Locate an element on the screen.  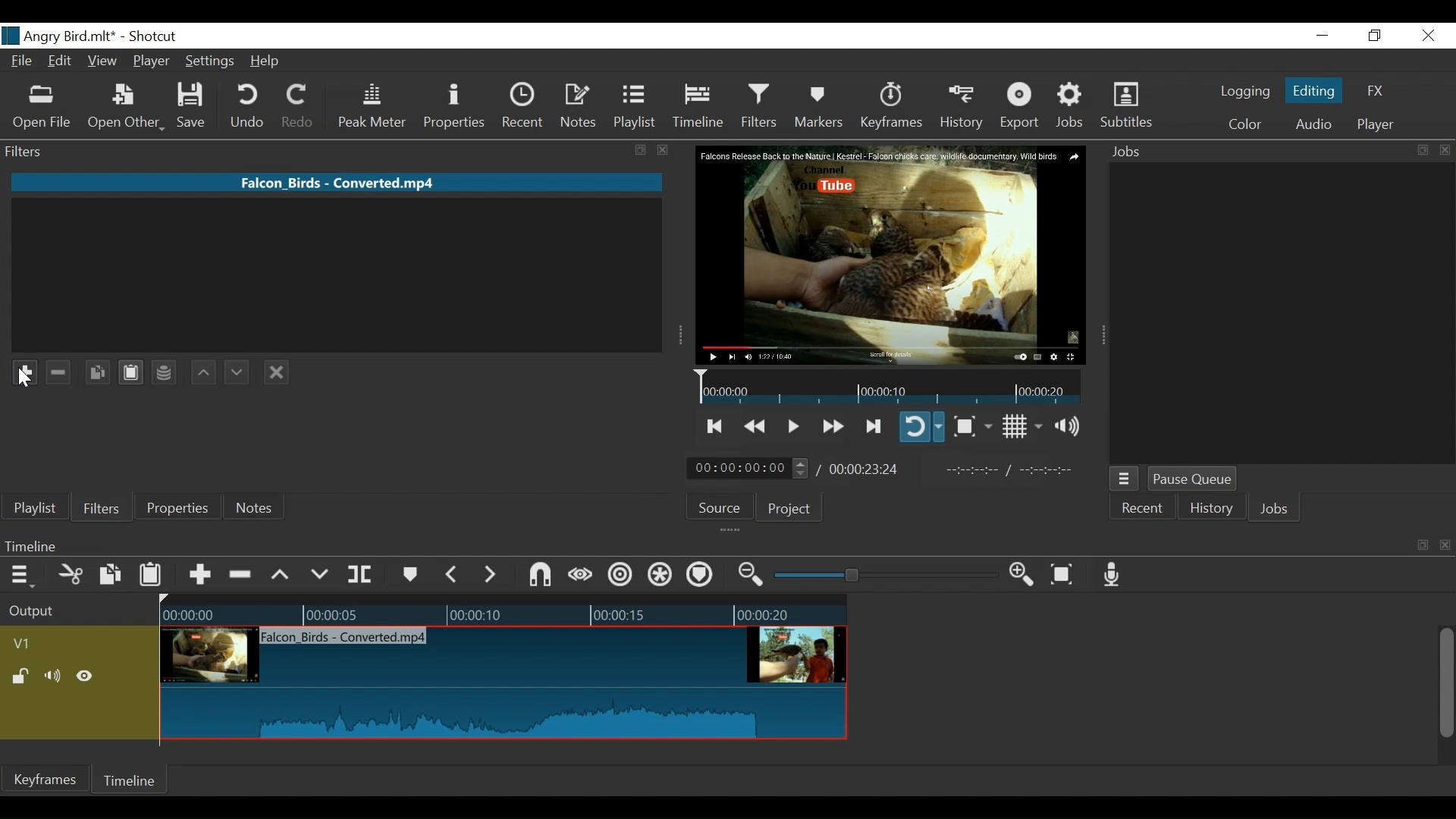
close is located at coordinates (1445, 150).